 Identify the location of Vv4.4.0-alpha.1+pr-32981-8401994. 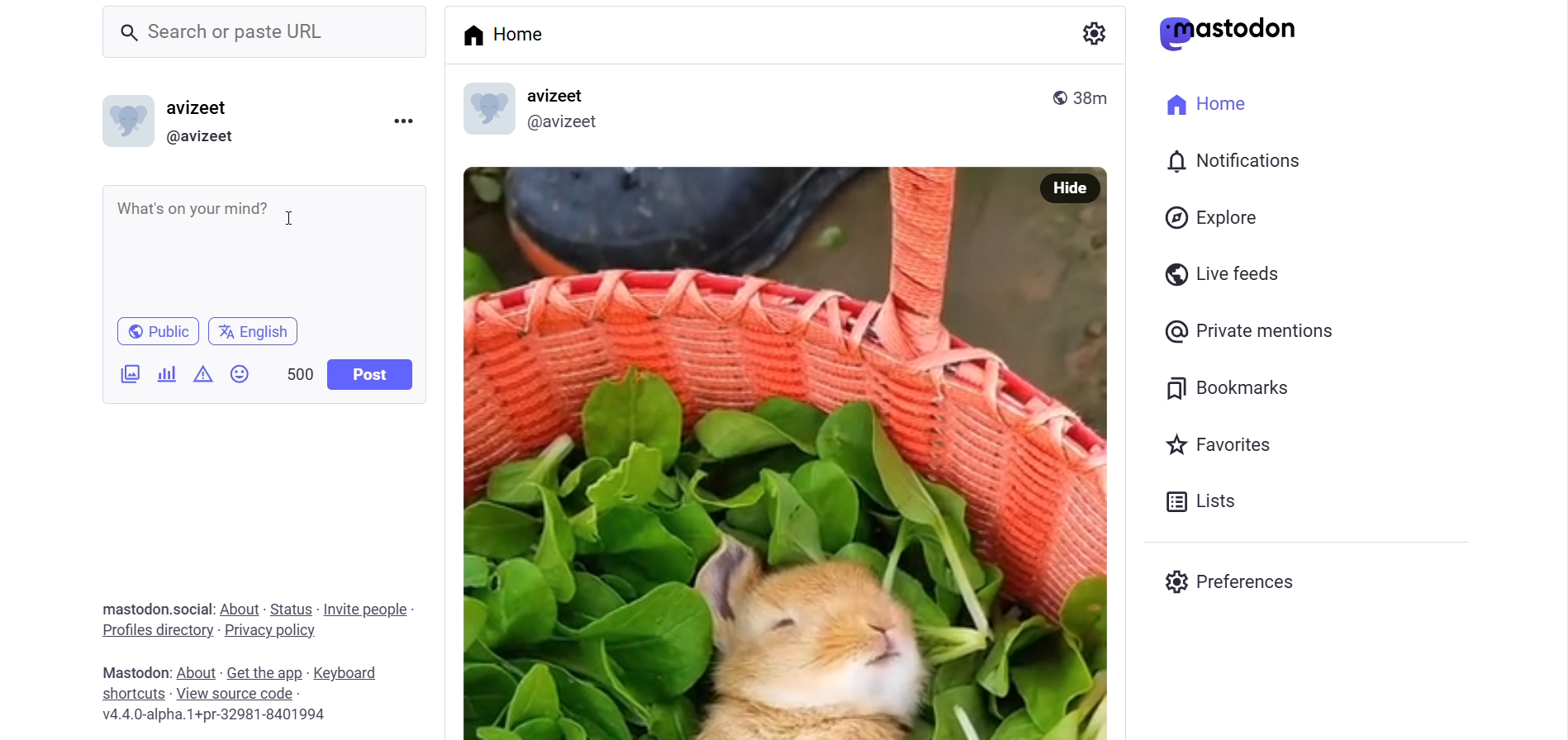
(227, 716).